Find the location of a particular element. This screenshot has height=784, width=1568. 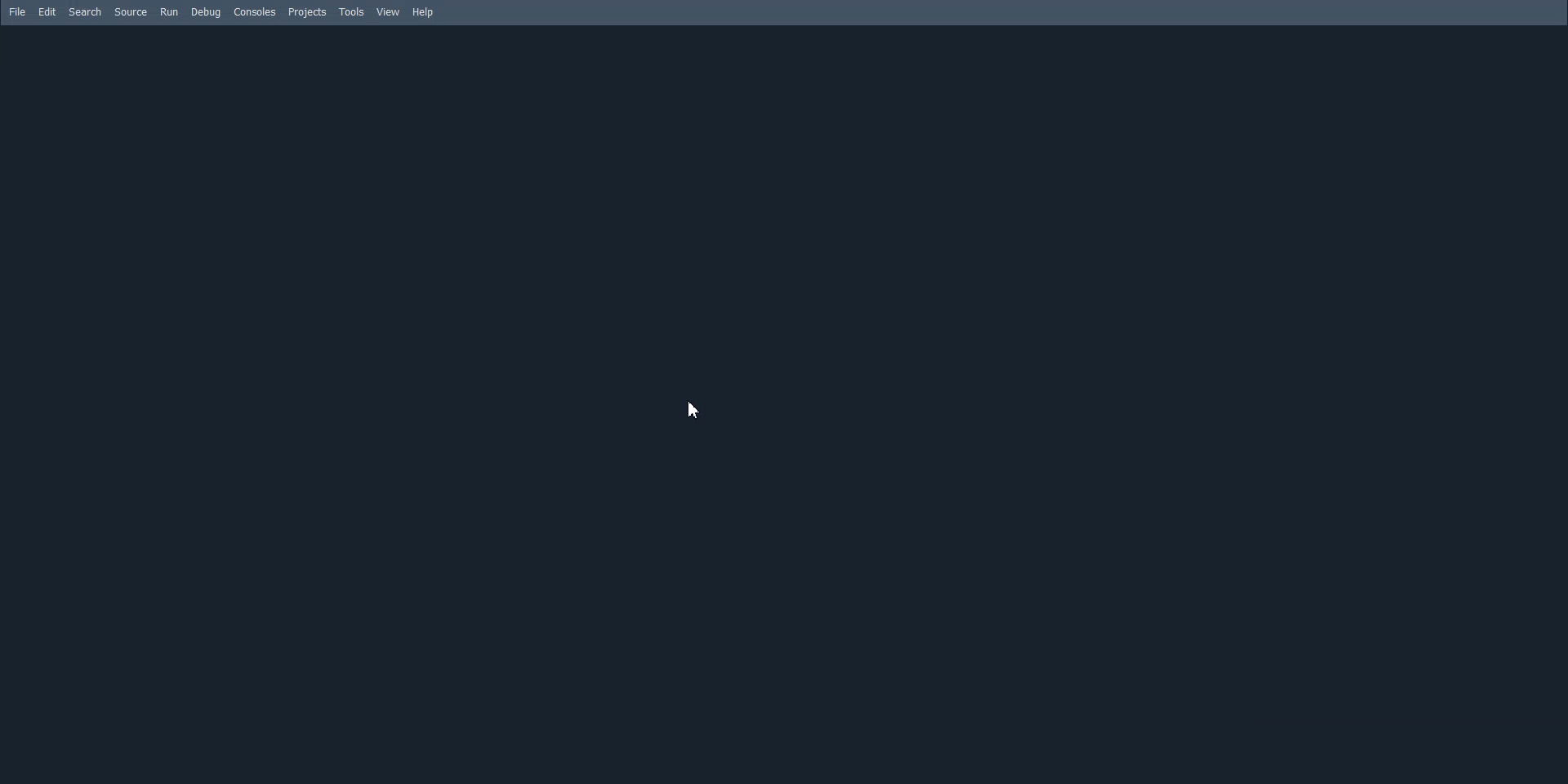

Cursor is located at coordinates (697, 410).